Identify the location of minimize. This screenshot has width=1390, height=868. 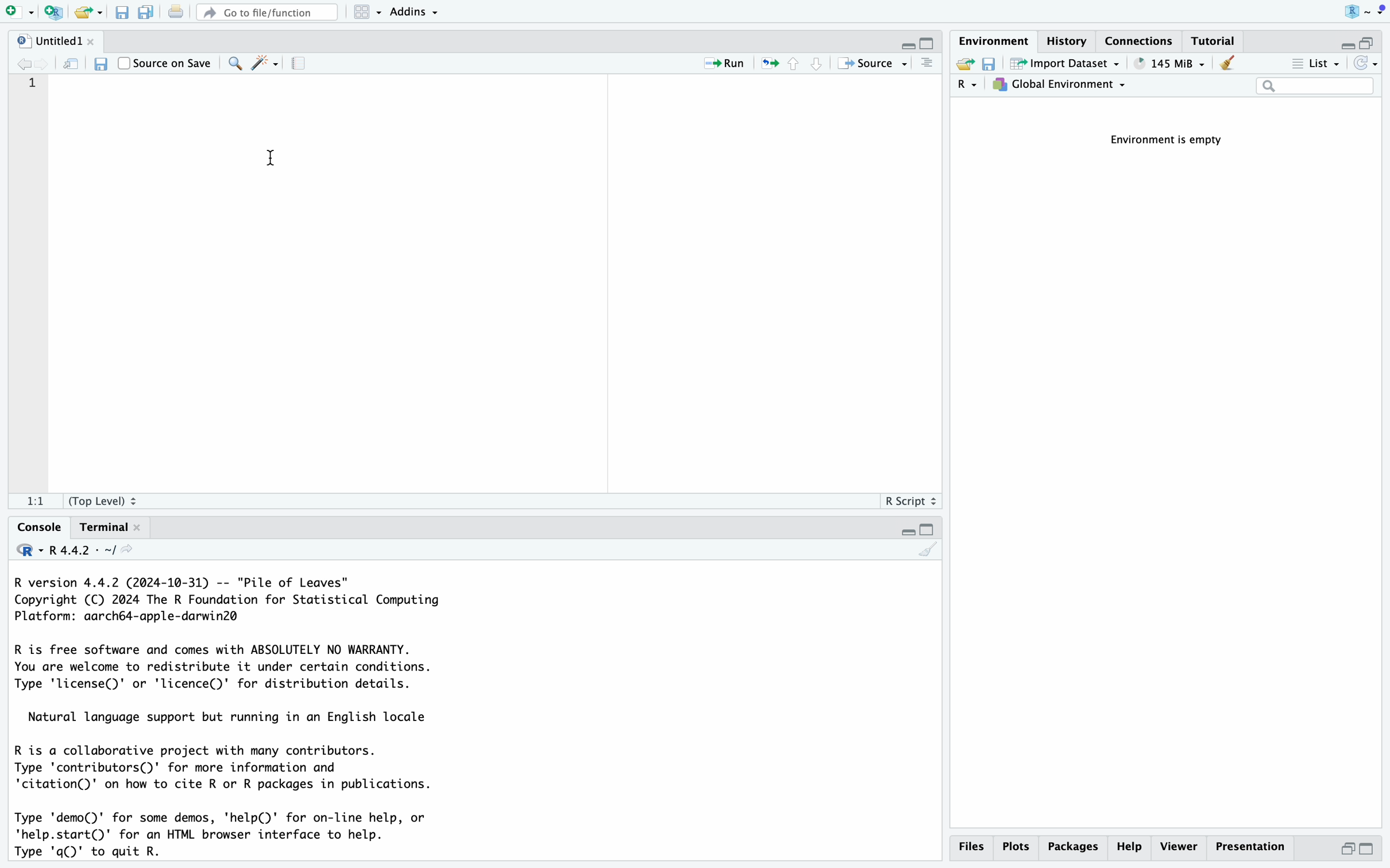
(898, 40).